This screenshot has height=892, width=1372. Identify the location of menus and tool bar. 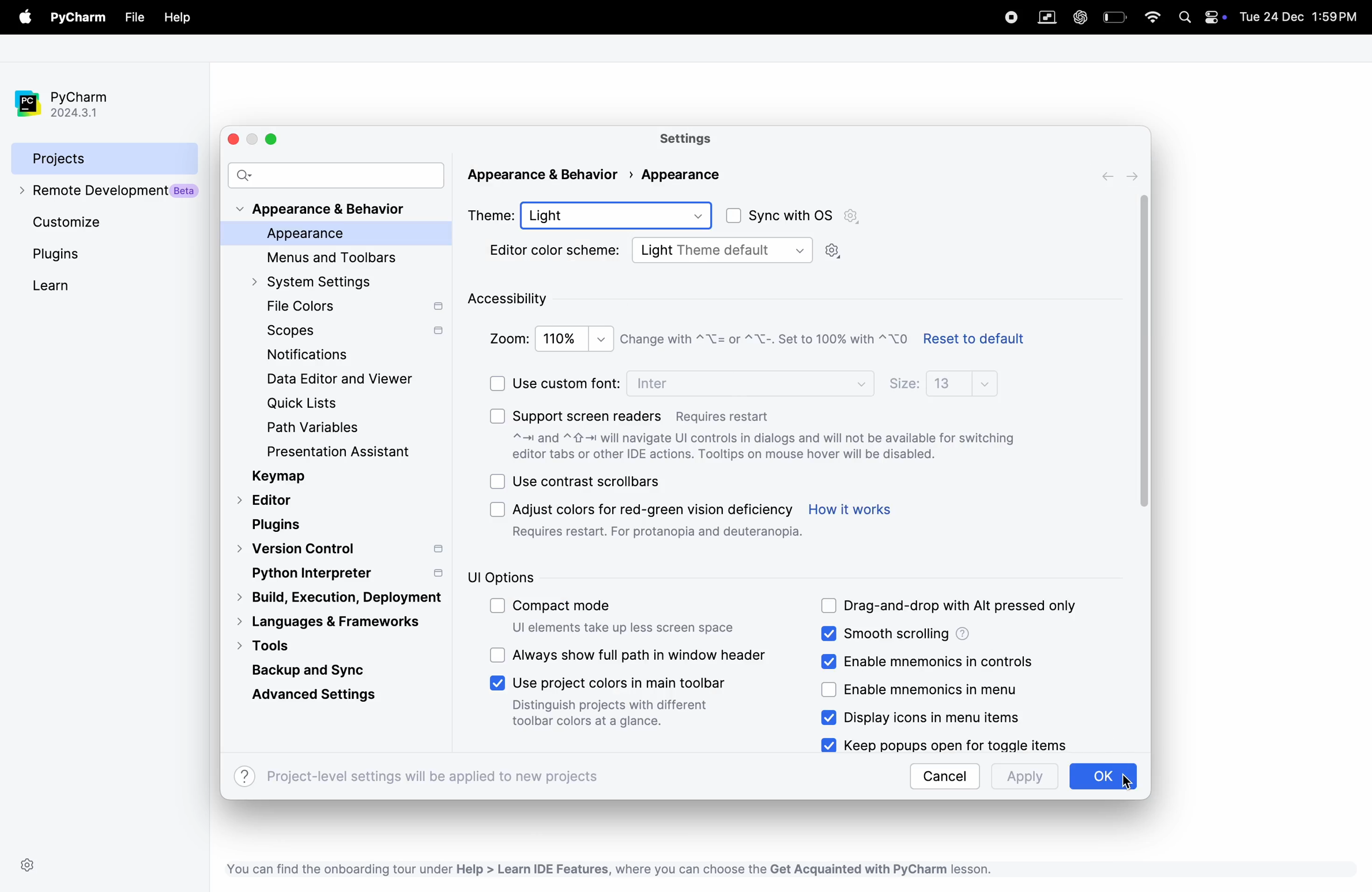
(335, 259).